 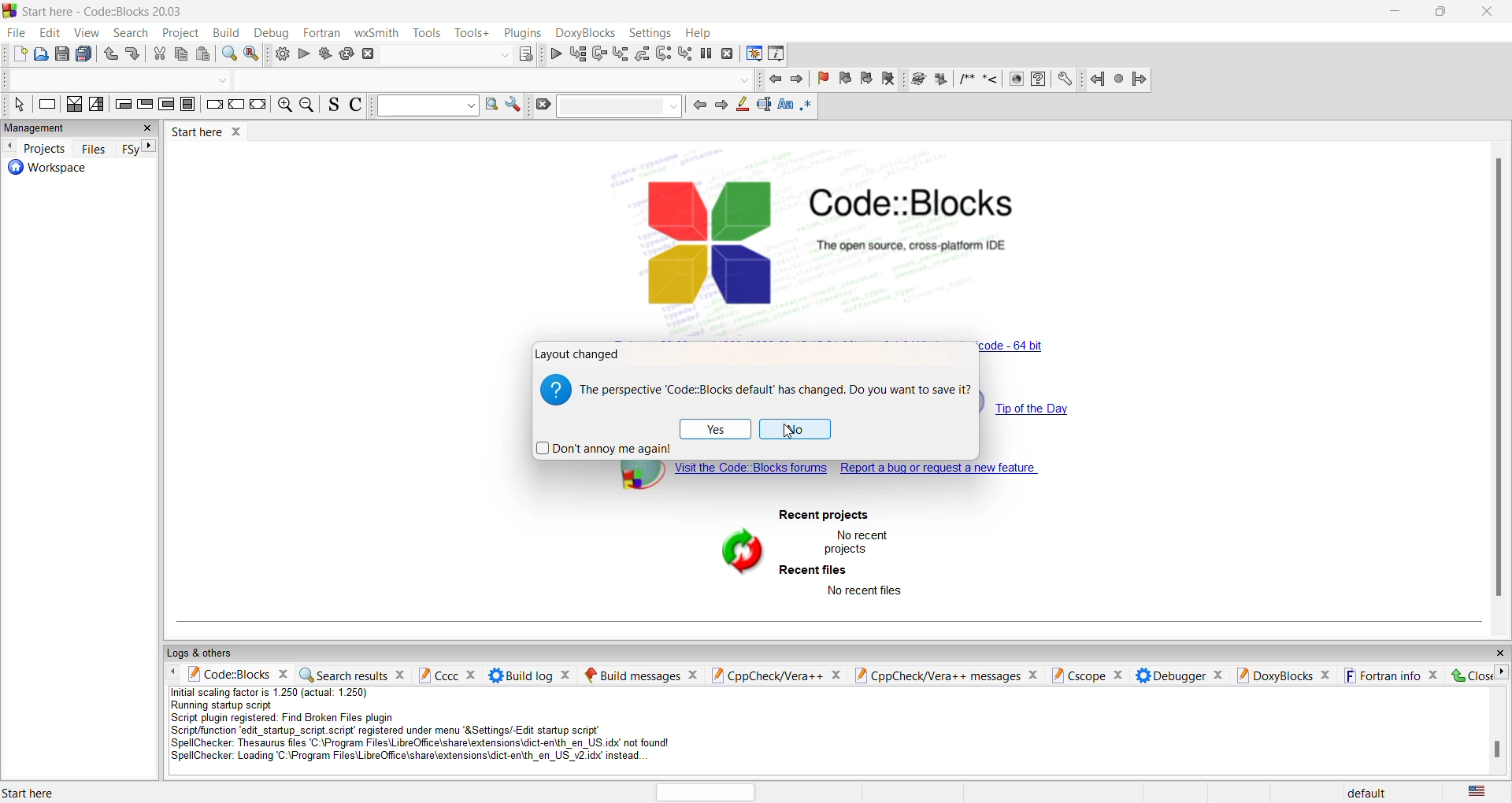 I want to click on use regex, so click(x=807, y=106).